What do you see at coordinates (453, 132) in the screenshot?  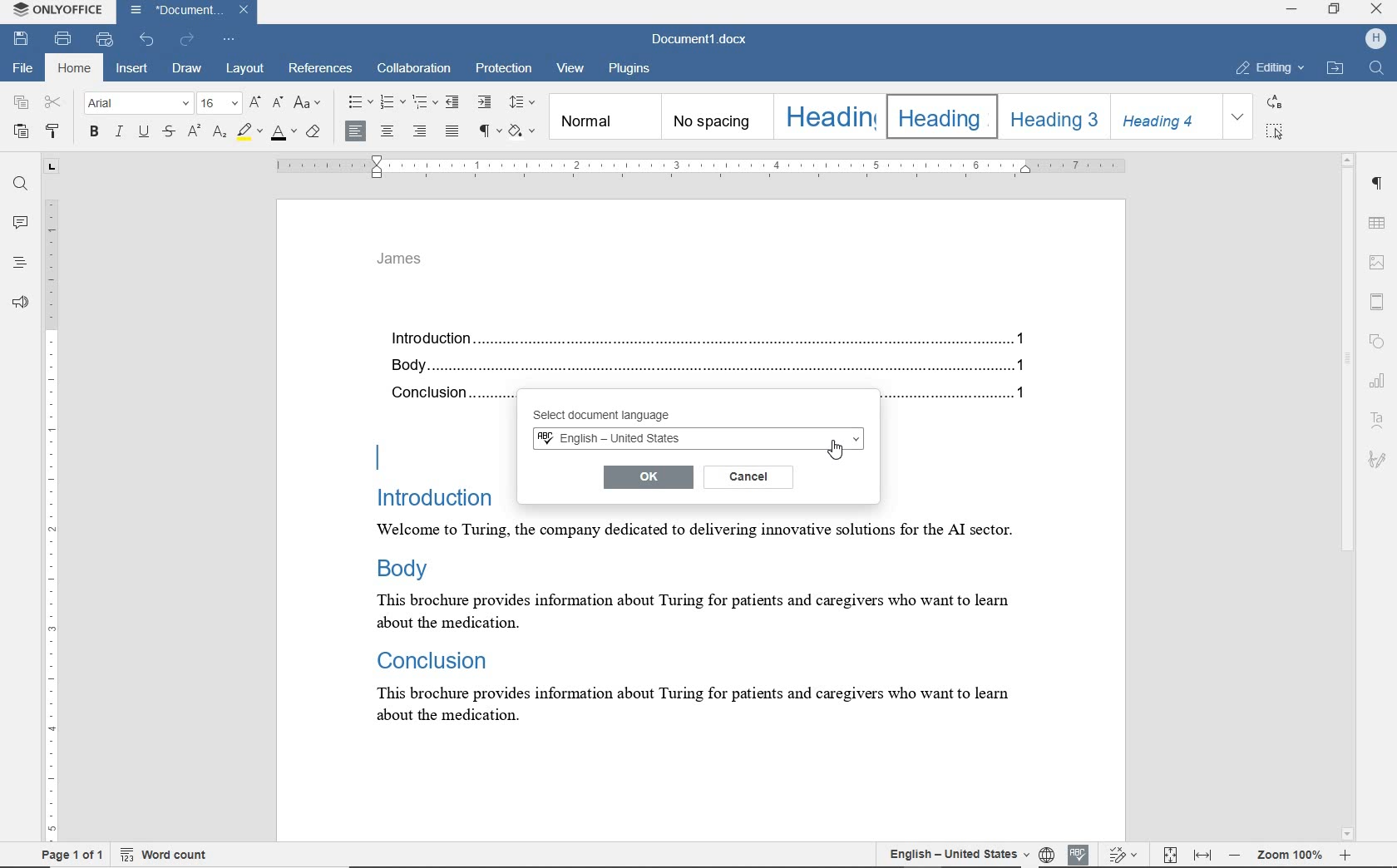 I see `justified` at bounding box center [453, 132].